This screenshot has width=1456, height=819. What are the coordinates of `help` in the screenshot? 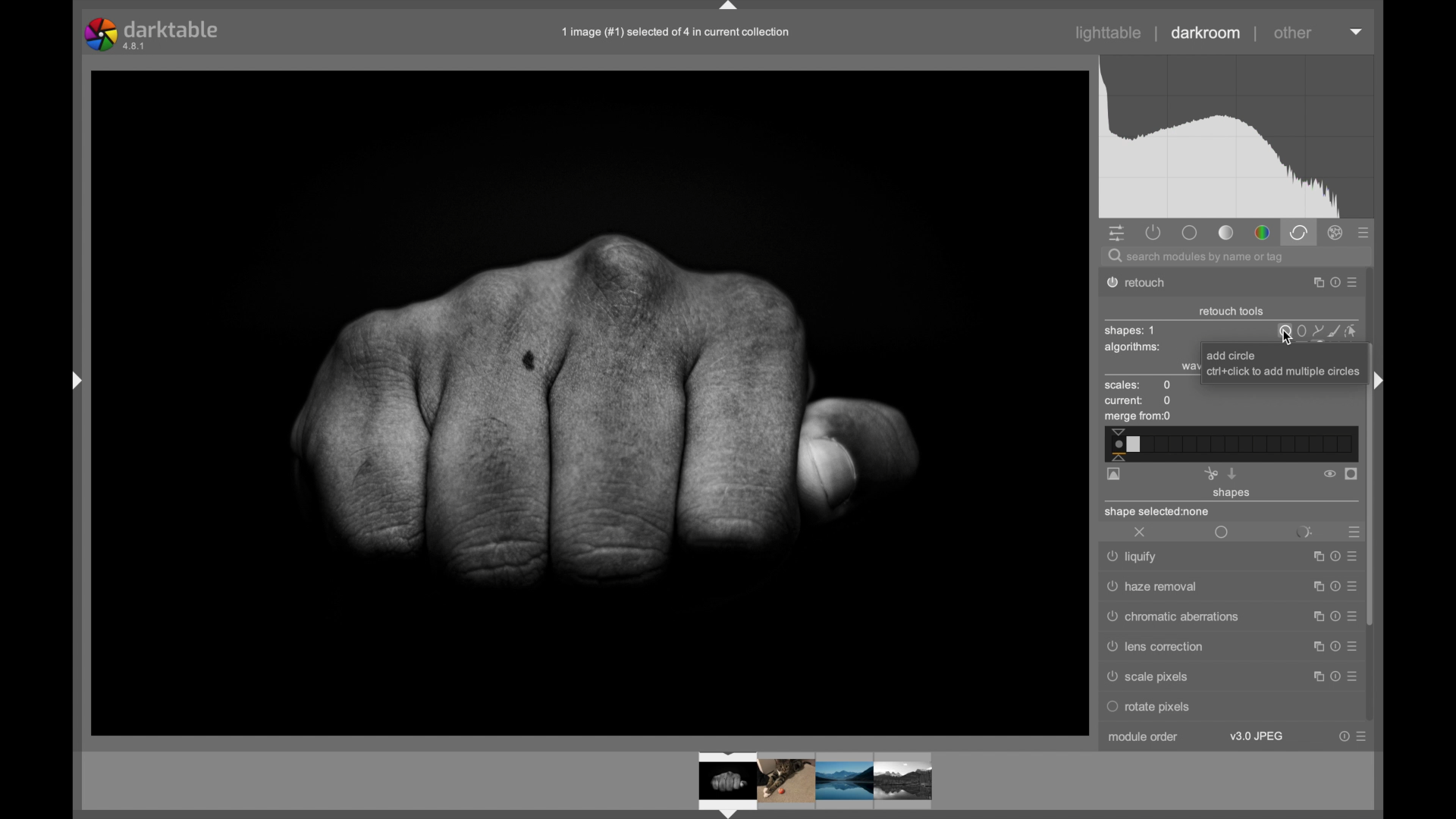 It's located at (1333, 647).